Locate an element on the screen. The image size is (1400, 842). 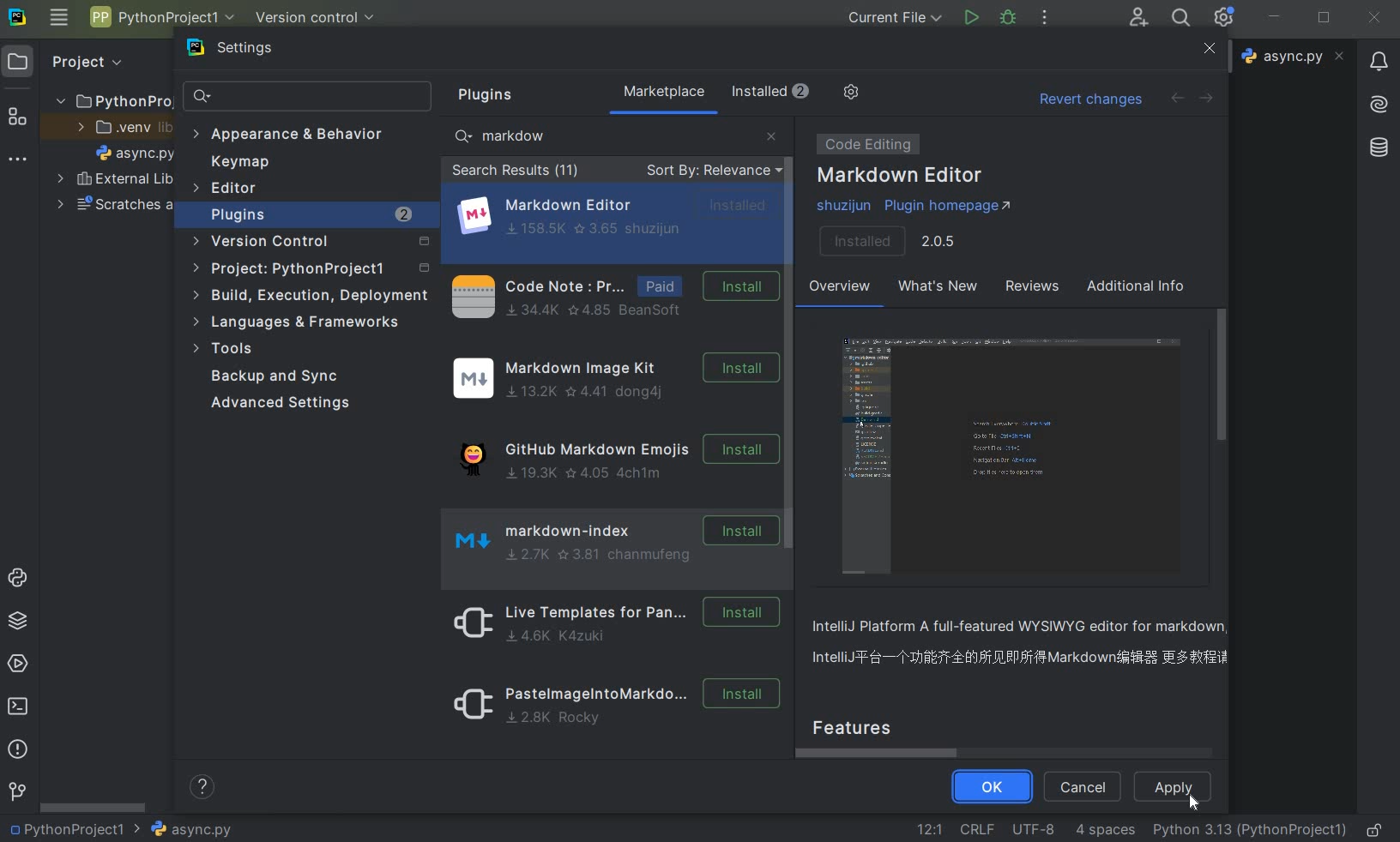
make file ready only is located at coordinates (1378, 830).